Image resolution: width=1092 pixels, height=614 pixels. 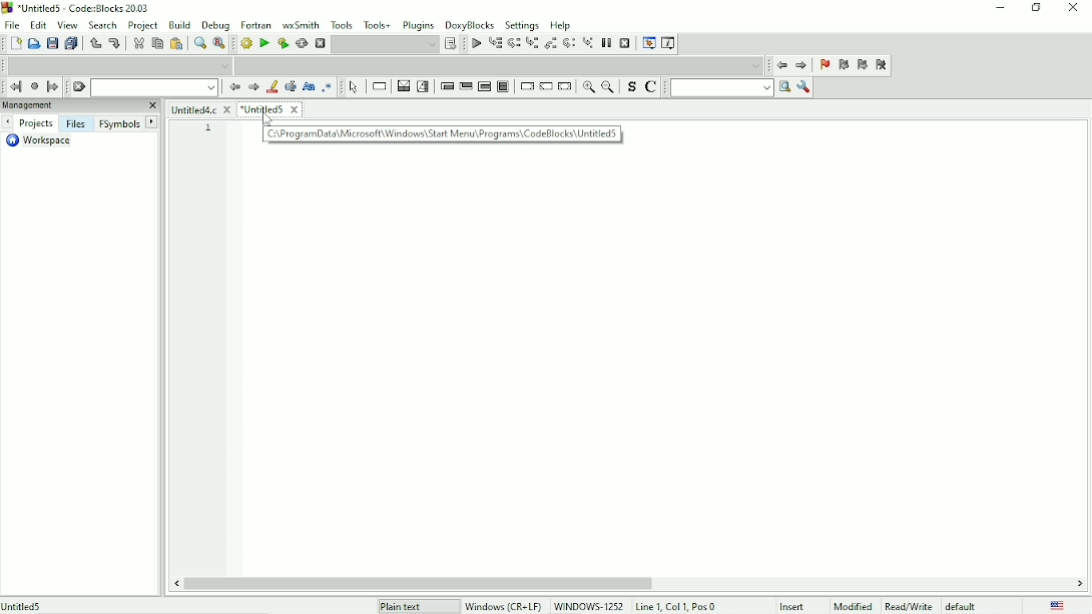 I want to click on Next line, so click(x=513, y=44).